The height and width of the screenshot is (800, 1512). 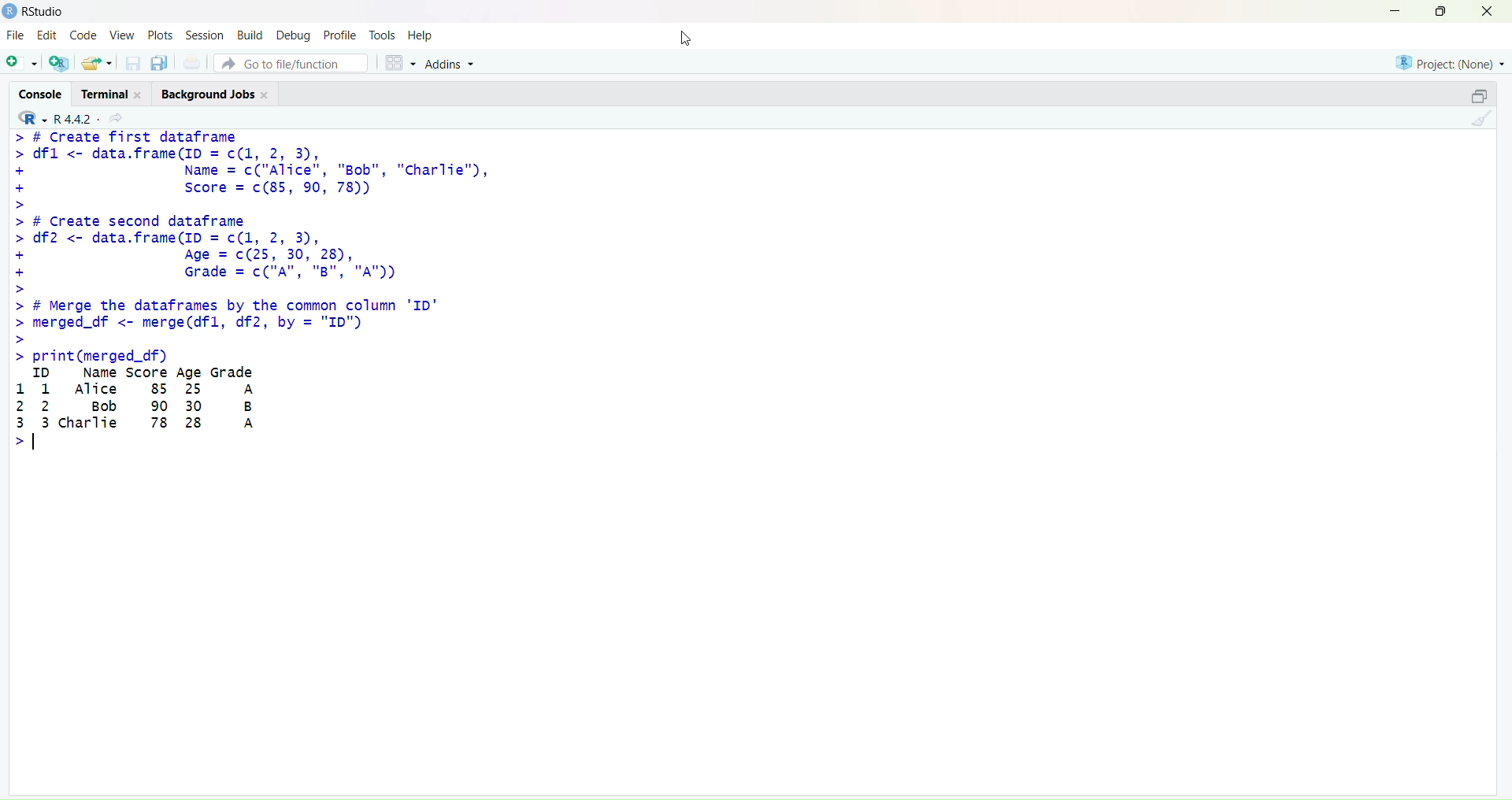 I want to click on Help, so click(x=419, y=35).